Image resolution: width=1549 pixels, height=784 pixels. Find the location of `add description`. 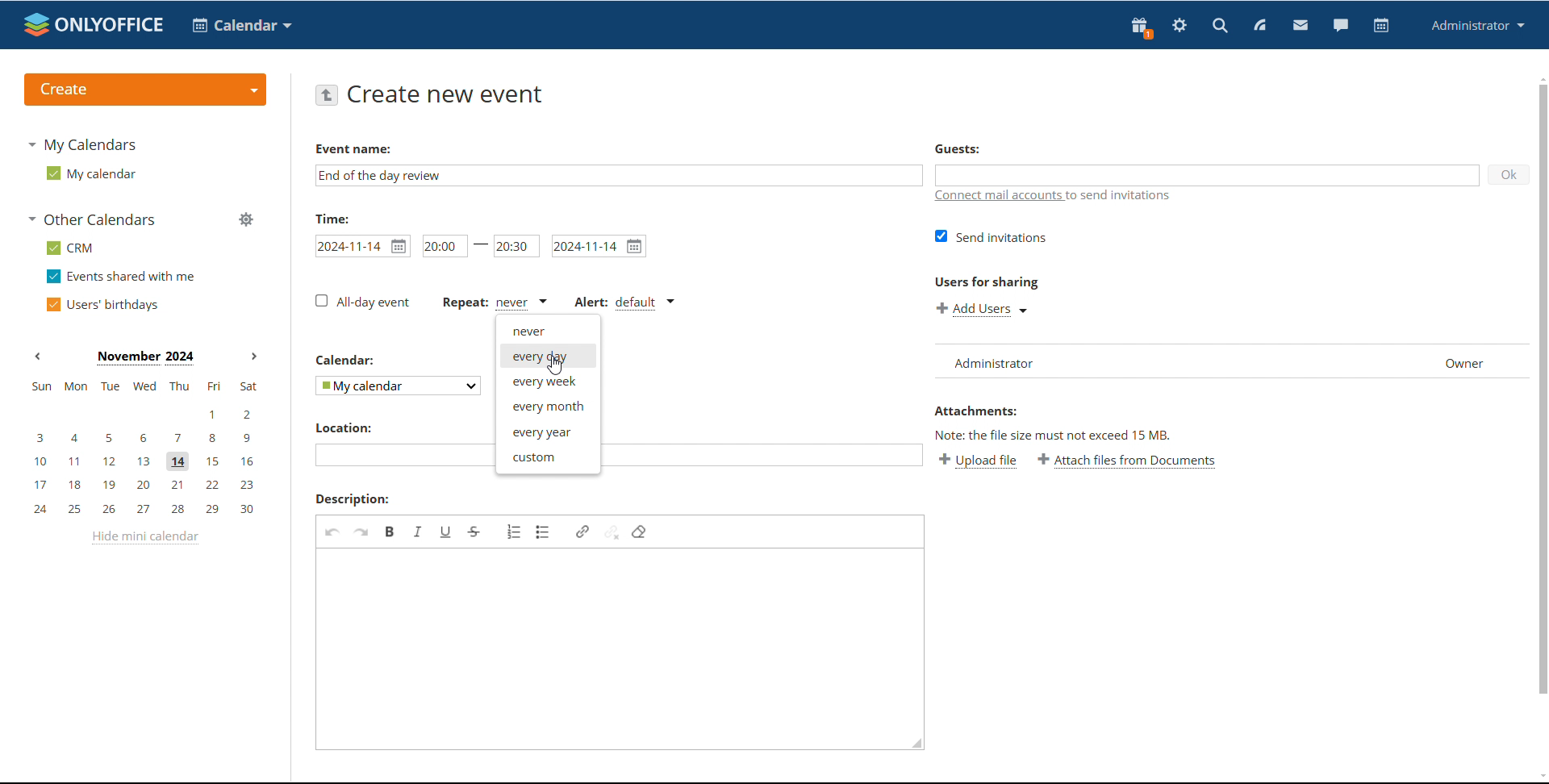

add description is located at coordinates (619, 649).